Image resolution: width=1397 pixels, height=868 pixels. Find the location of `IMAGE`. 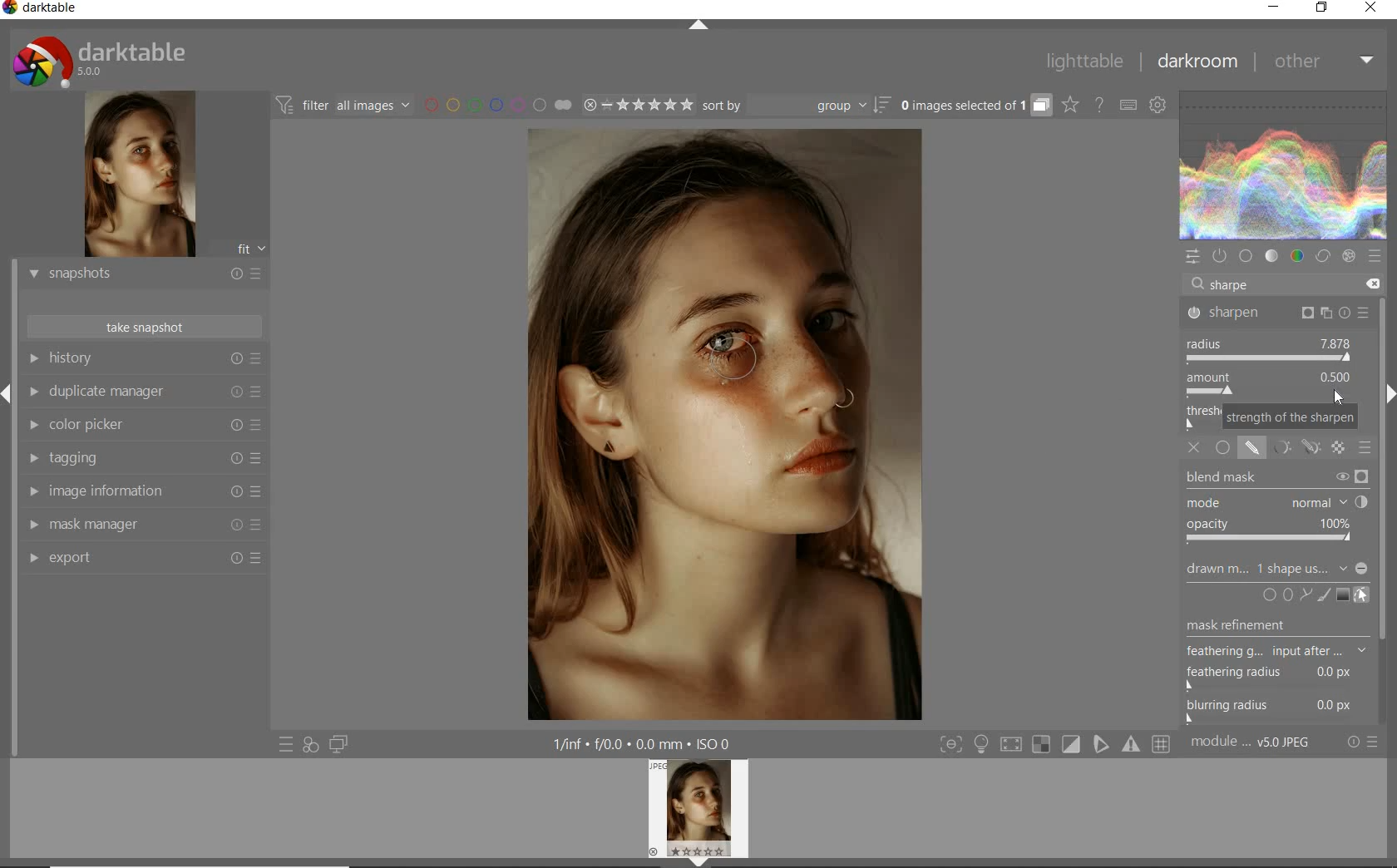

IMAGE is located at coordinates (703, 811).